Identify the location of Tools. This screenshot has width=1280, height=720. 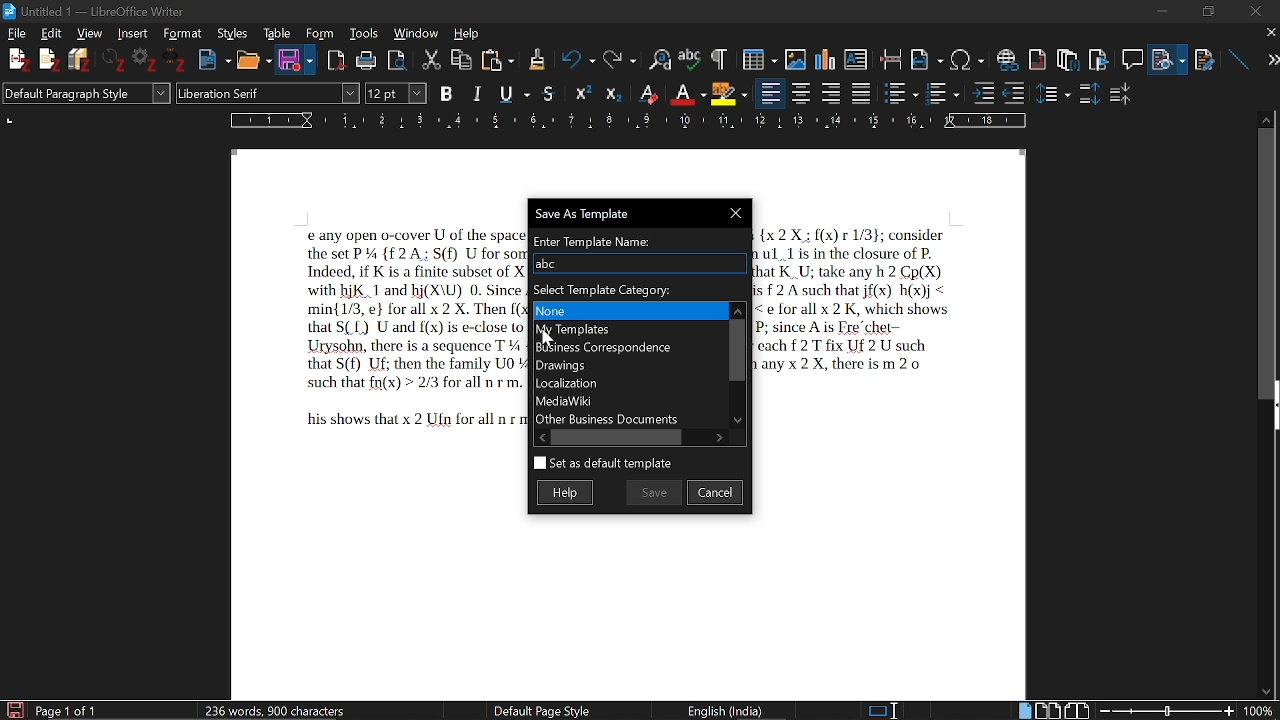
(361, 33).